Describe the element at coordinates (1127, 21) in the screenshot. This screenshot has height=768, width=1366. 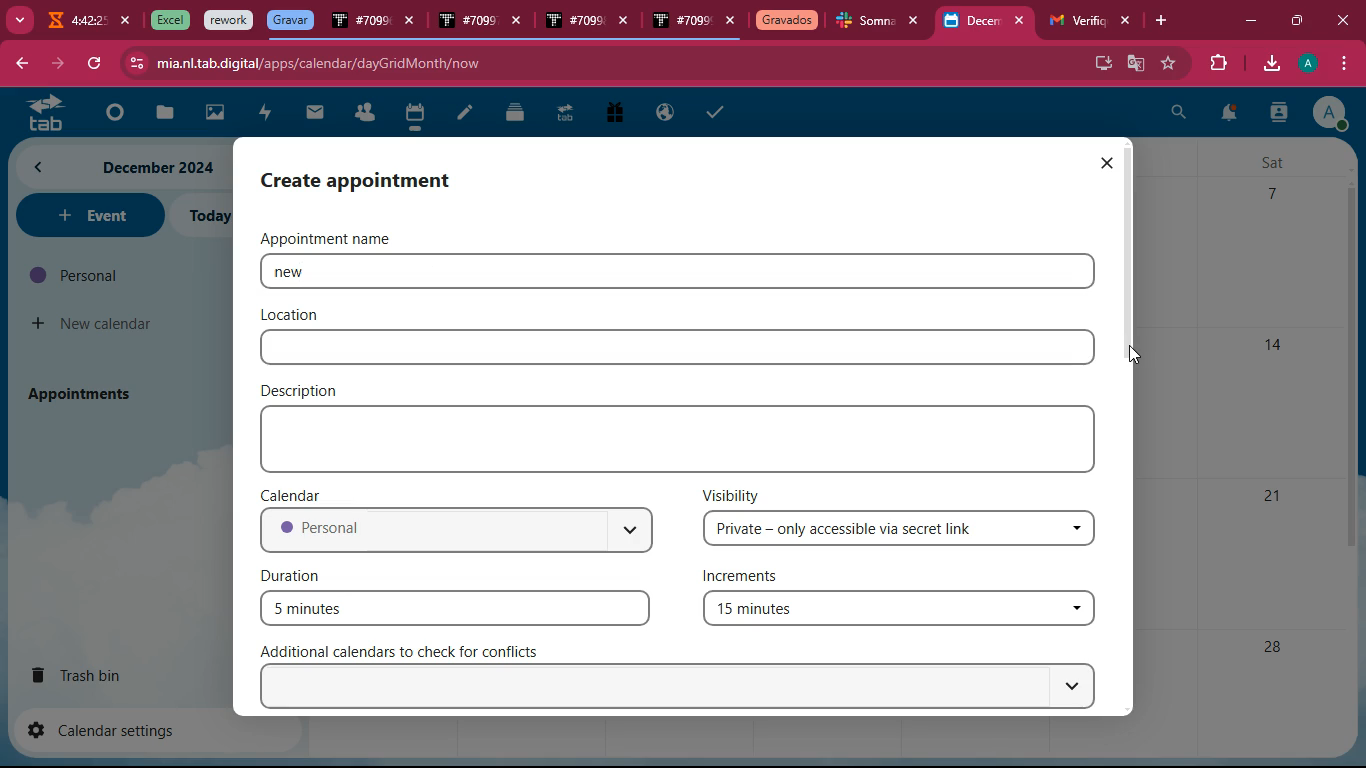
I see `close` at that location.